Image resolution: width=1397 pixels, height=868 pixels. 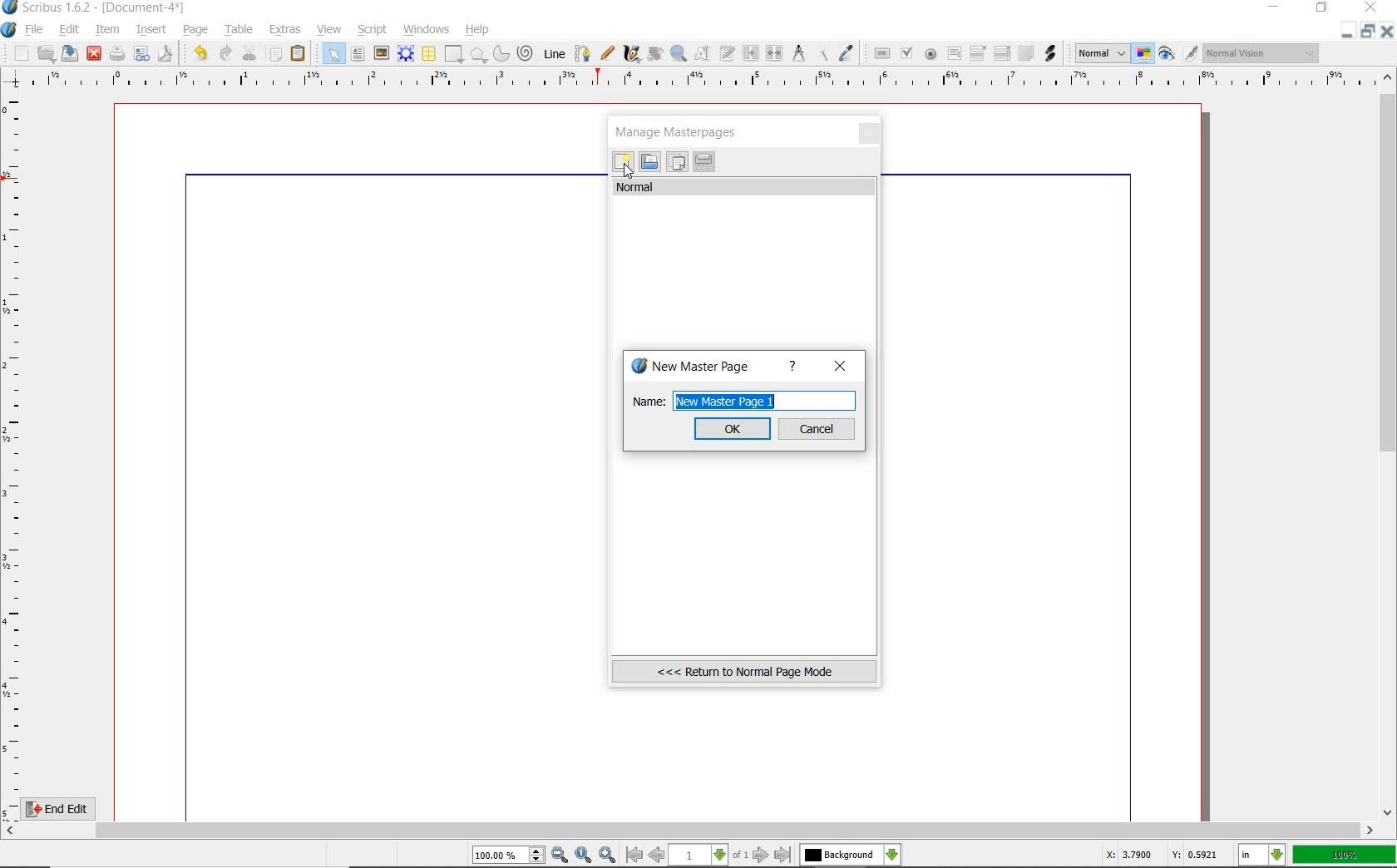 What do you see at coordinates (704, 55) in the screenshot?
I see `edit contents of frame` at bounding box center [704, 55].